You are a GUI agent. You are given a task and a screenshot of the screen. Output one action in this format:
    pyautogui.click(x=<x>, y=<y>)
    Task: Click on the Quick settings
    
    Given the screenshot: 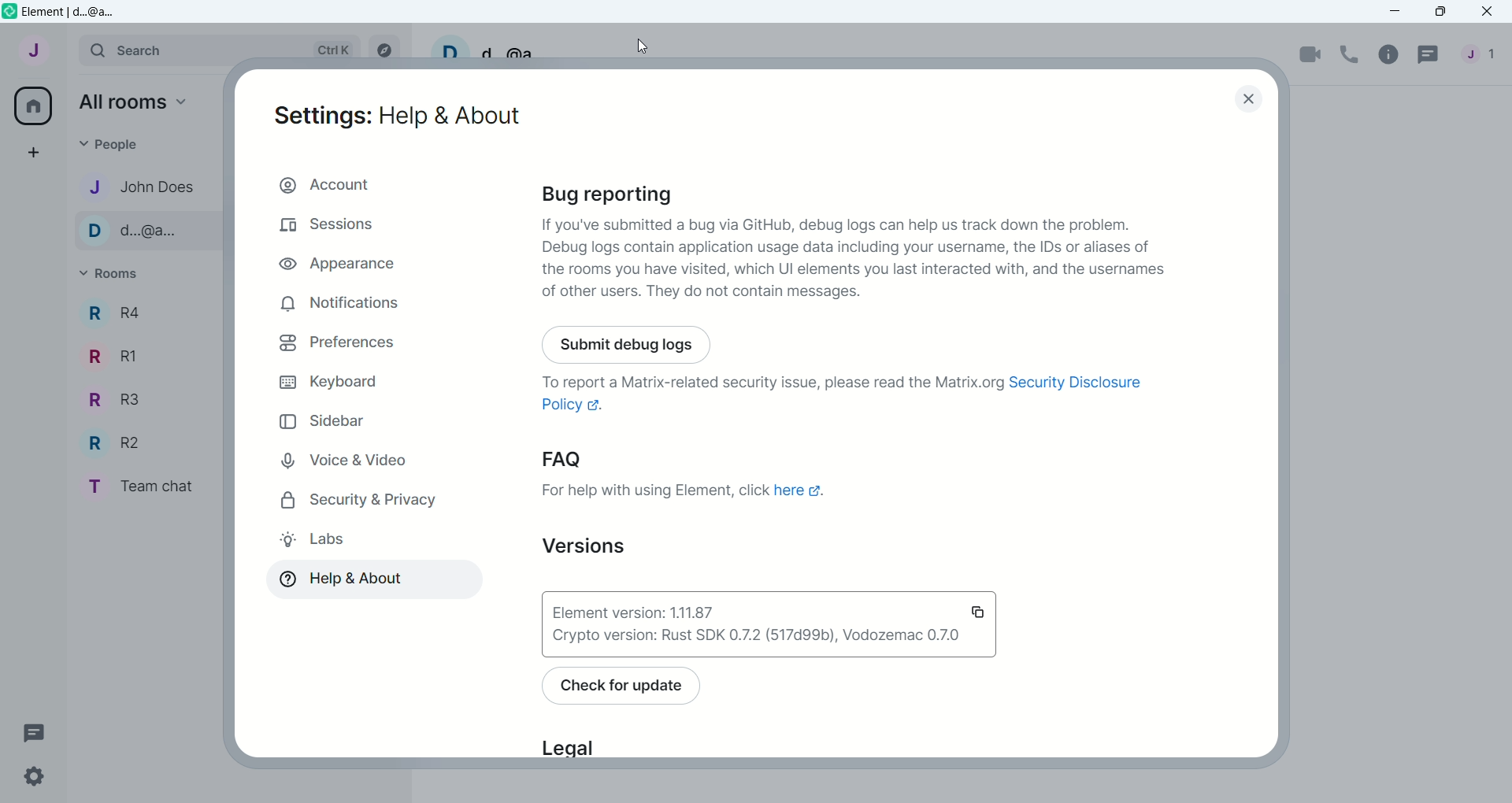 What is the action you would take?
    pyautogui.click(x=43, y=775)
    